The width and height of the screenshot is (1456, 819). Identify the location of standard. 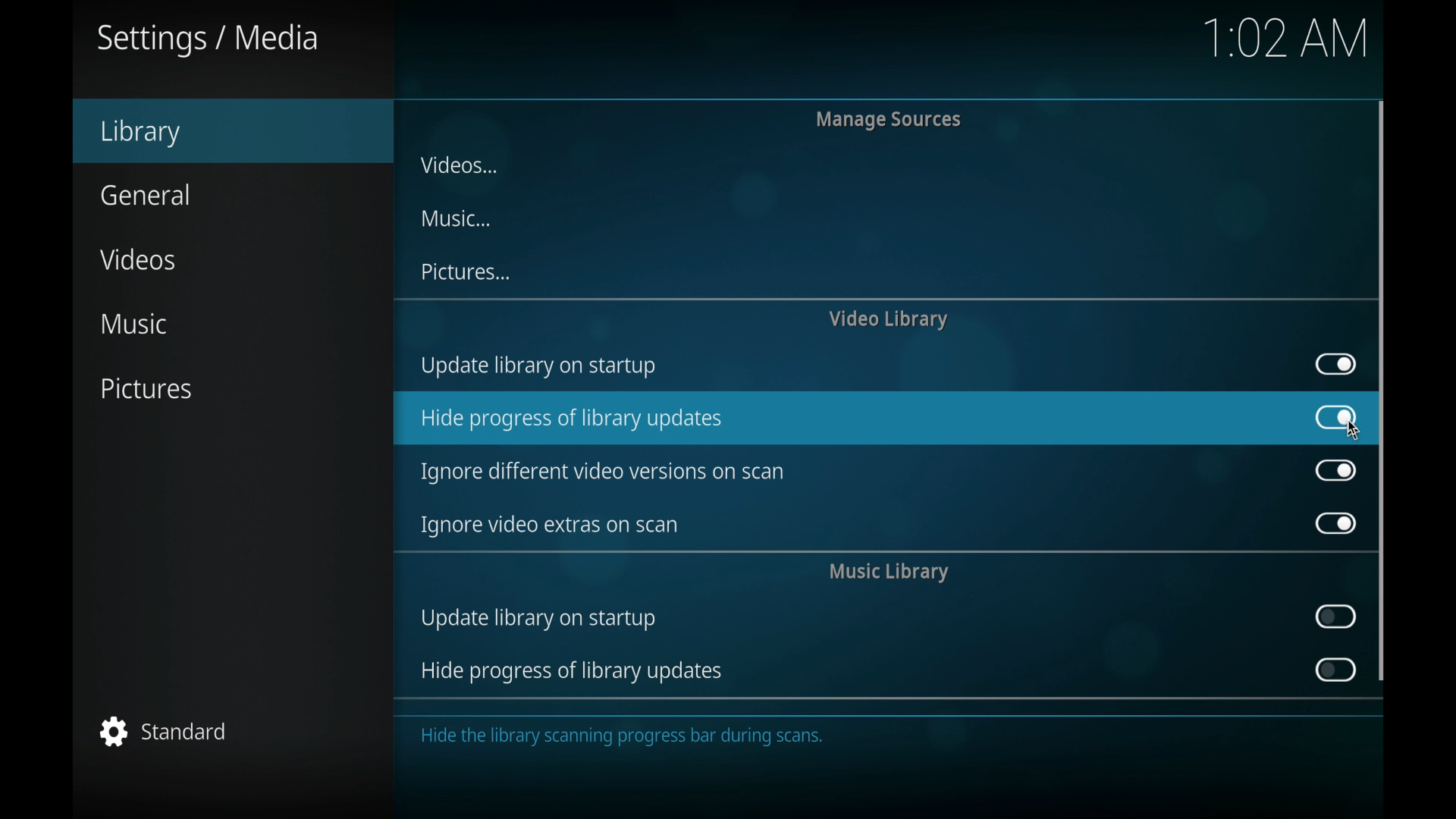
(162, 731).